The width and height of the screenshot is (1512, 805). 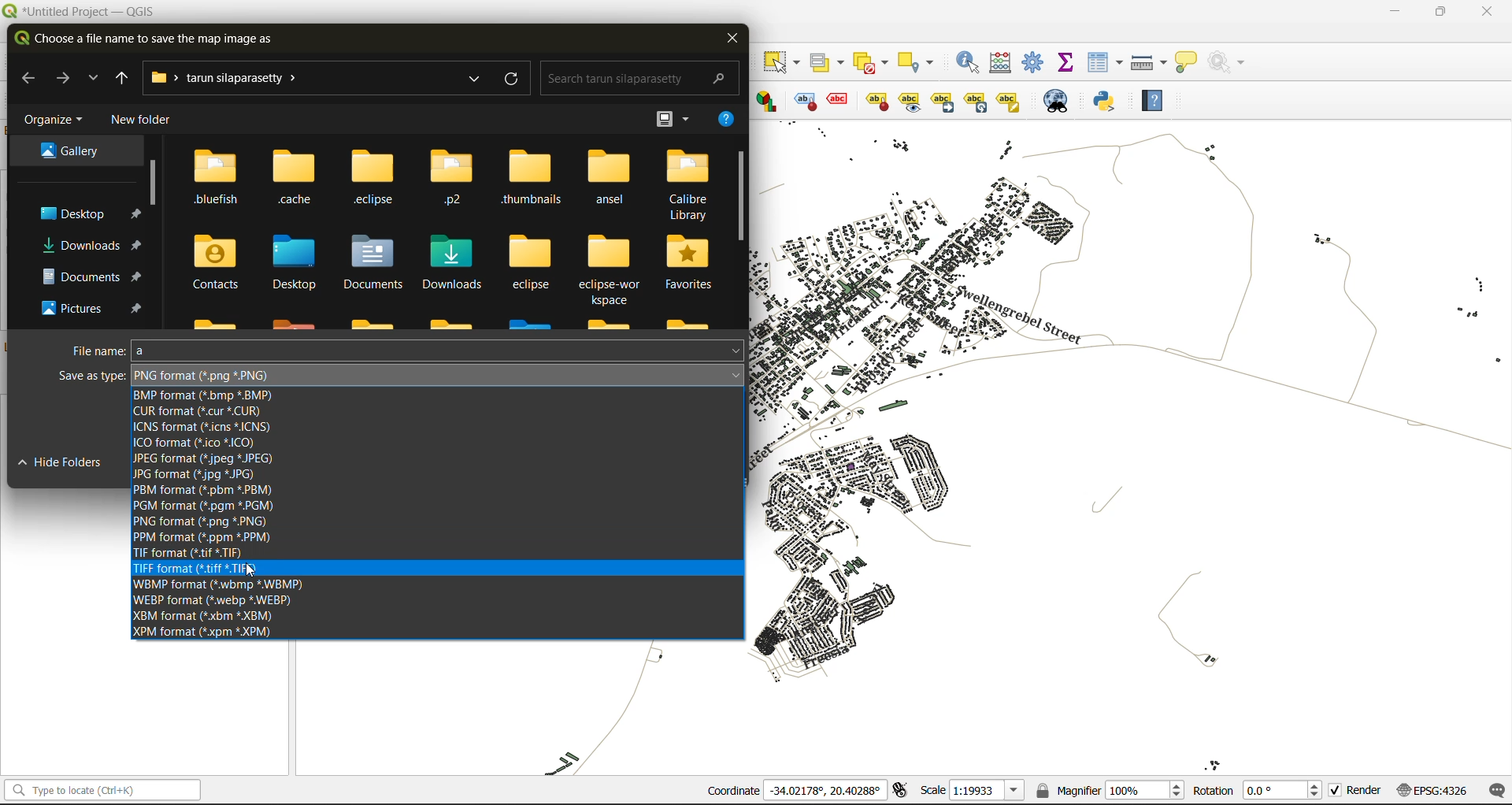 I want to click on attributes table, so click(x=1106, y=63).